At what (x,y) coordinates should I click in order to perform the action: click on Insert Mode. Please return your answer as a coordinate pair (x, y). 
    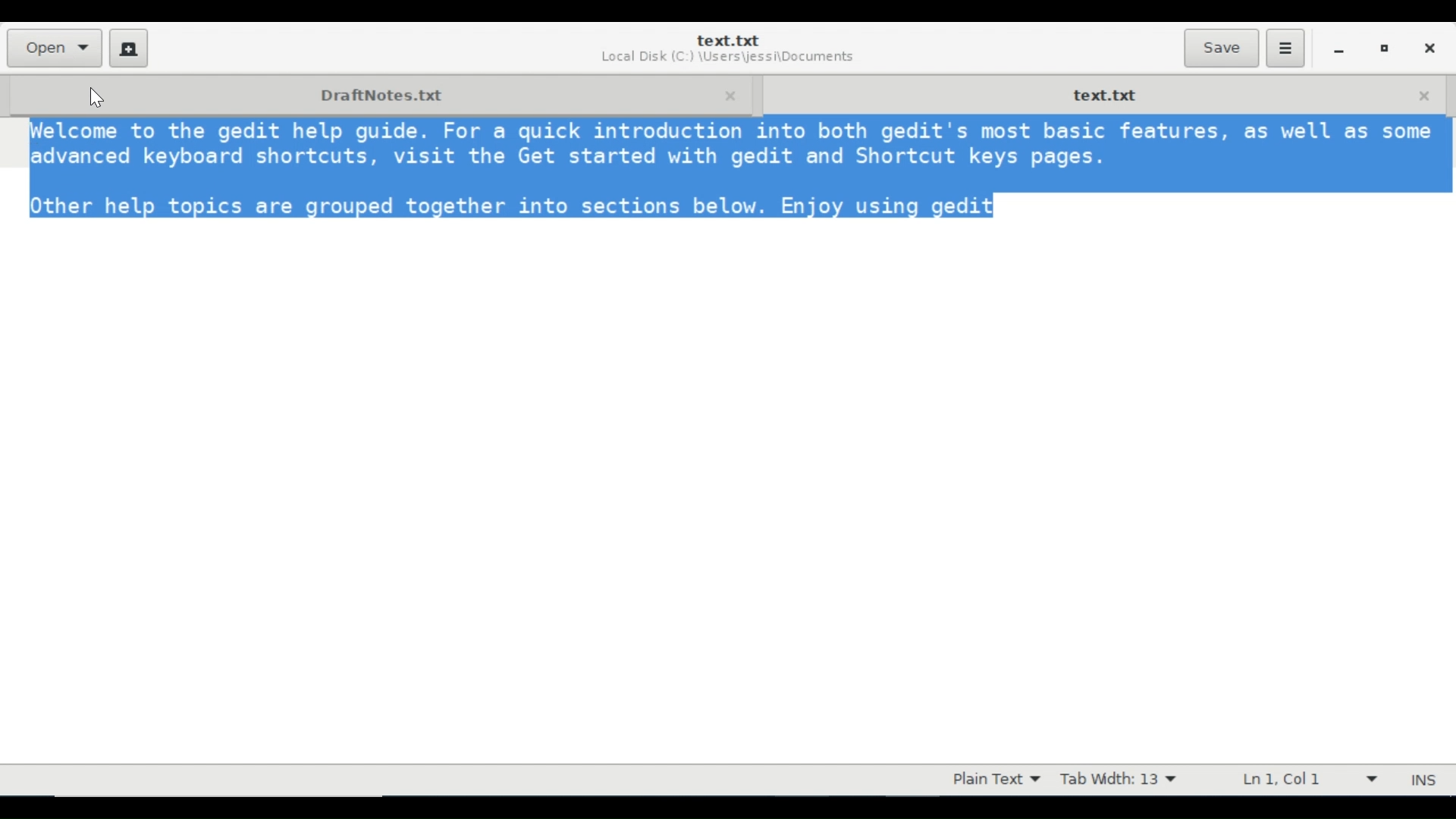
    Looking at the image, I should click on (1426, 780).